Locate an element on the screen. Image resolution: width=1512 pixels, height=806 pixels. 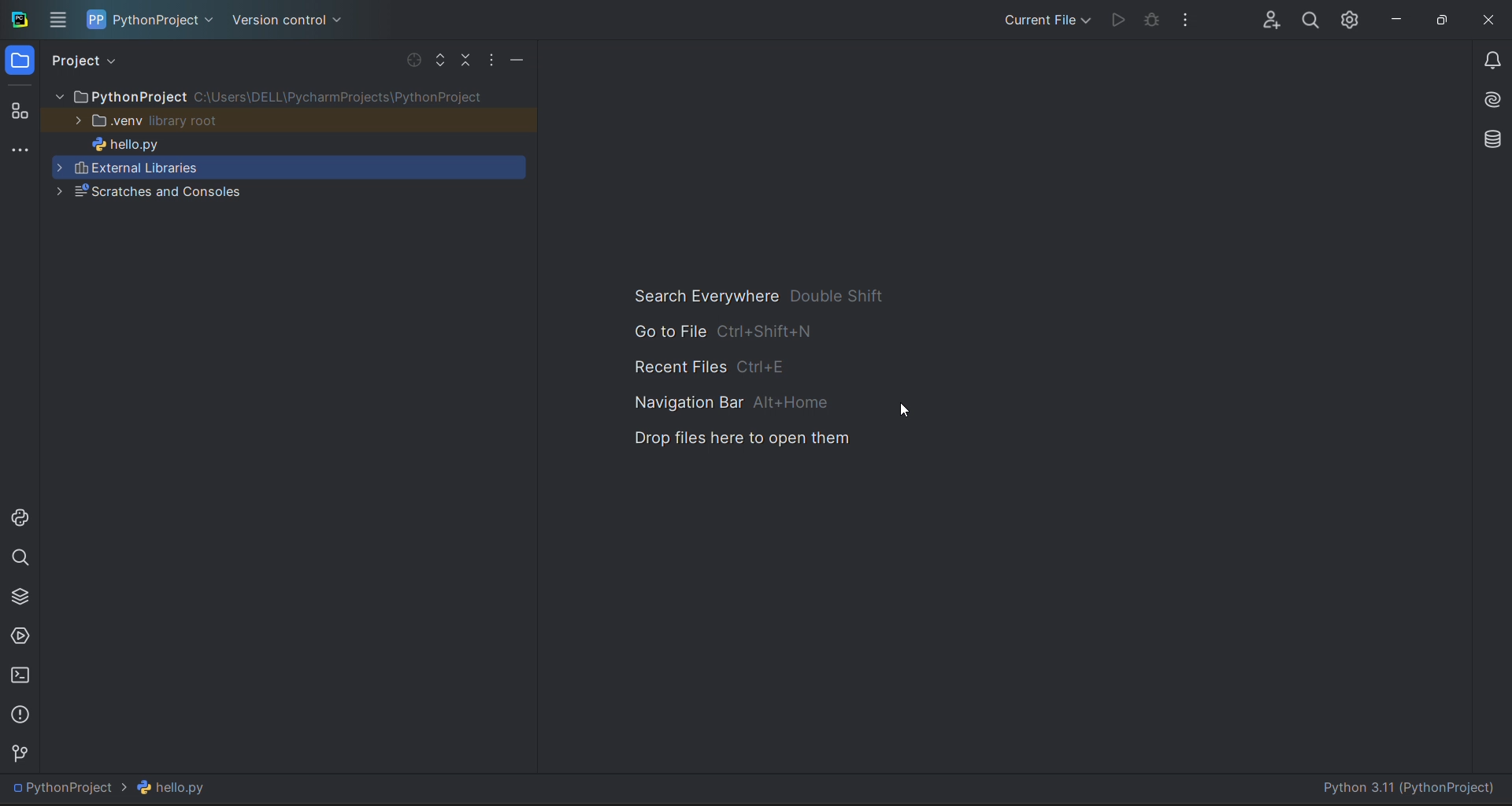
notifications is located at coordinates (1493, 60).